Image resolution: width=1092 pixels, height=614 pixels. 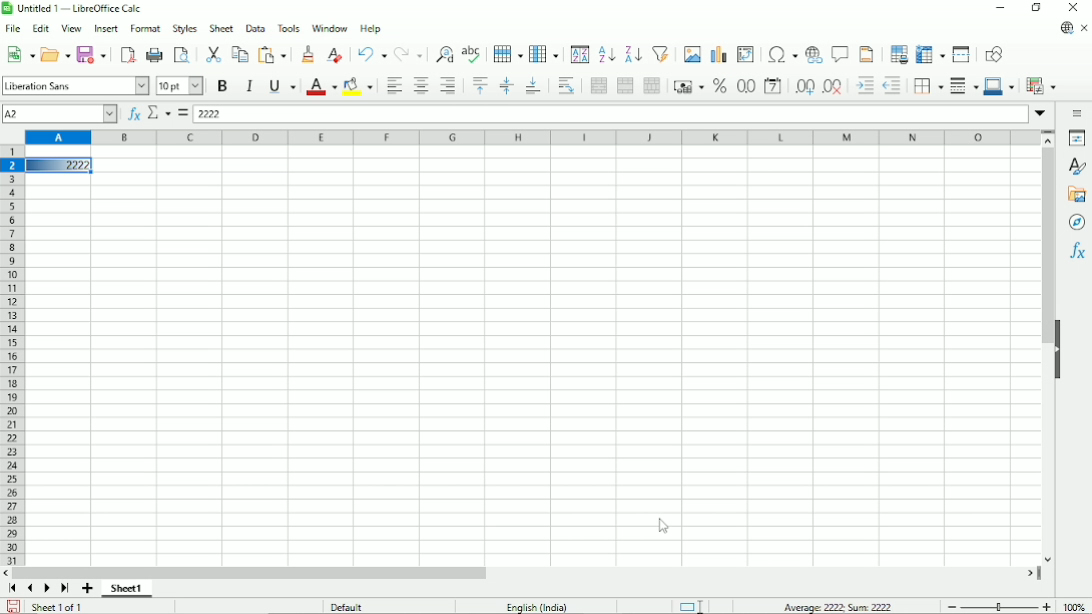 What do you see at coordinates (580, 54) in the screenshot?
I see `Sort` at bounding box center [580, 54].